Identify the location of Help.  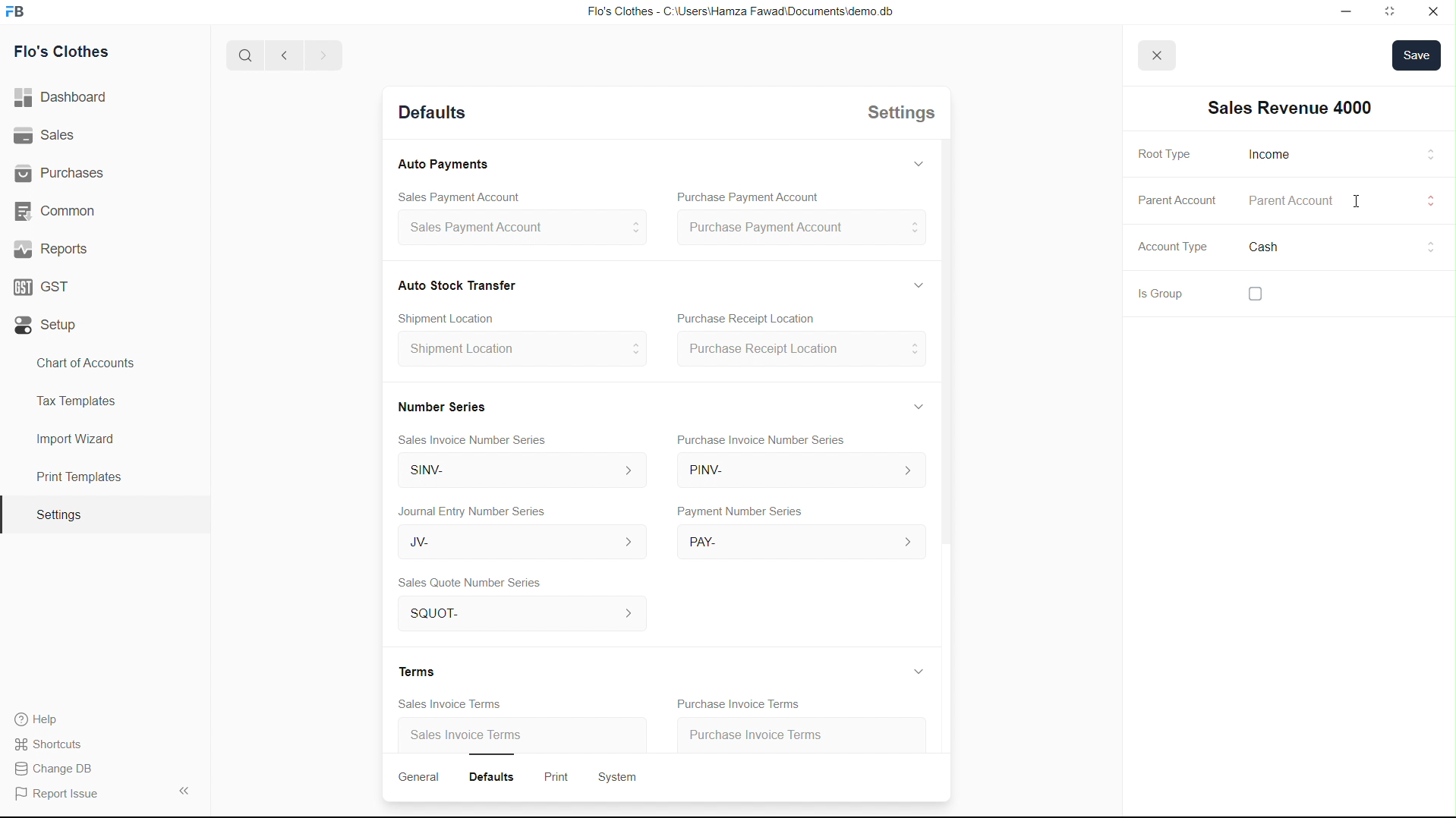
(43, 719).